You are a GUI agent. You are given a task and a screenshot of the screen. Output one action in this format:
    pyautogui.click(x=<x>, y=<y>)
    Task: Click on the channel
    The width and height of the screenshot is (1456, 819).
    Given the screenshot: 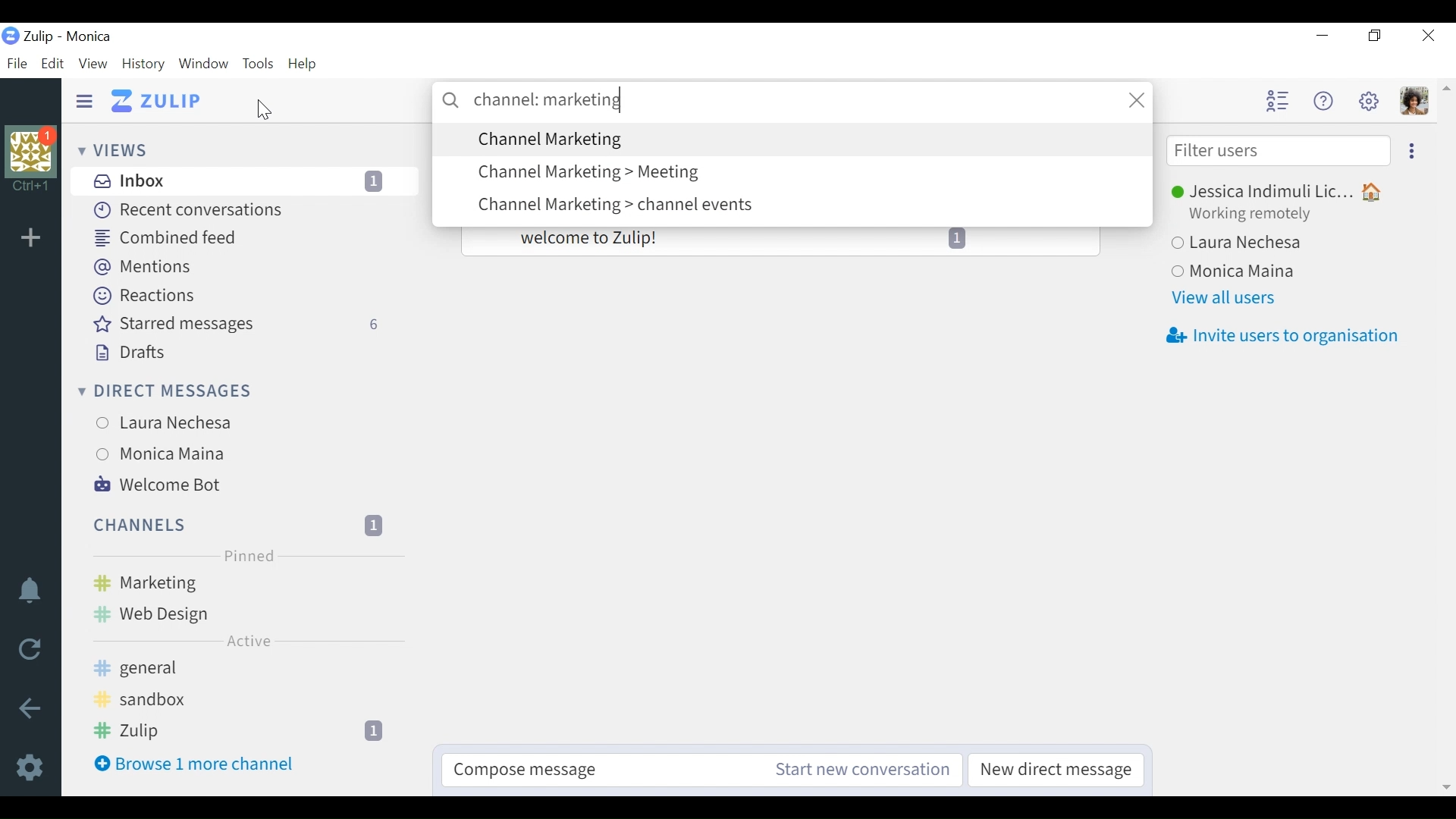 What is the action you would take?
    pyautogui.click(x=247, y=702)
    